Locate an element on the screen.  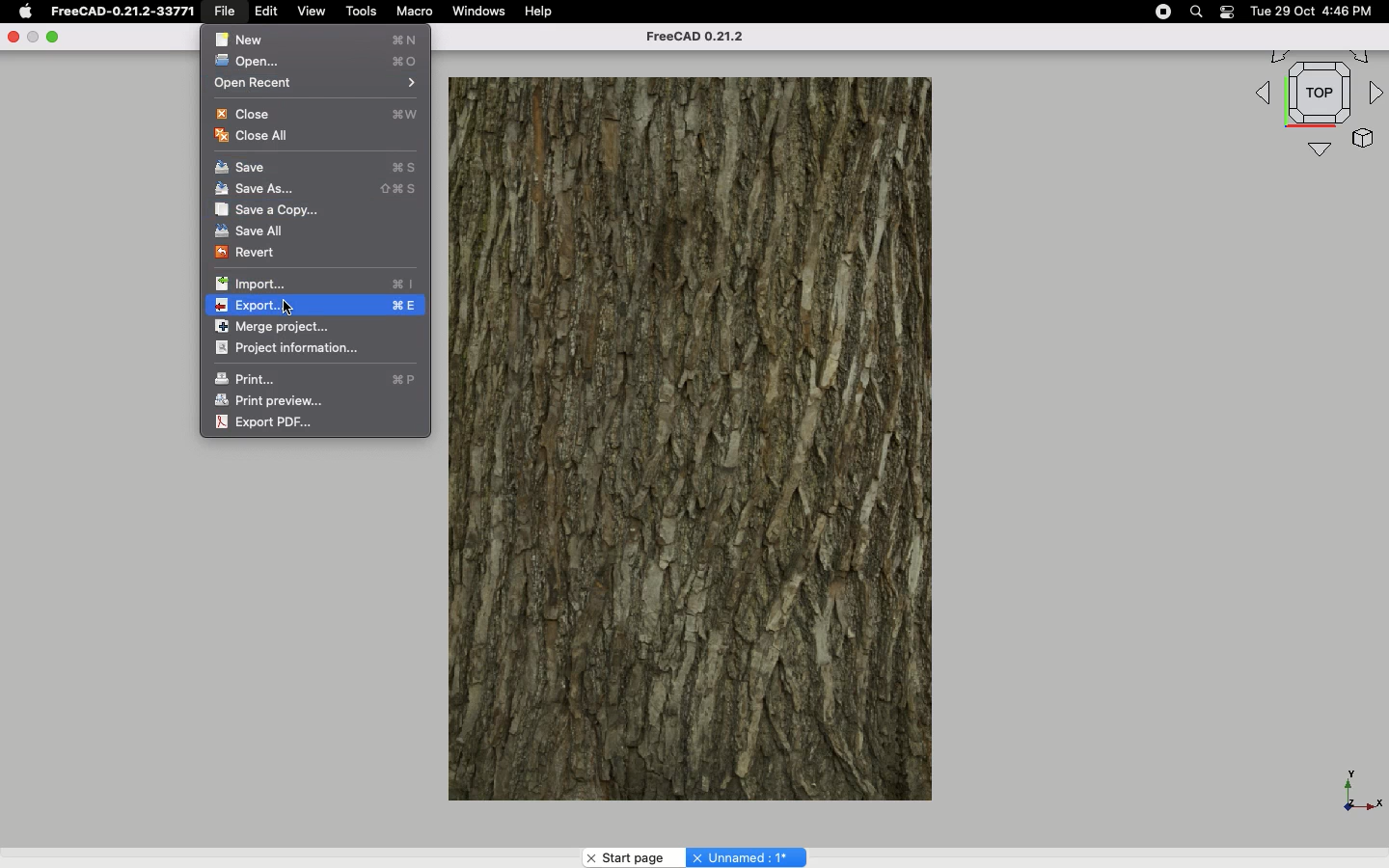
Save a copy is located at coordinates (264, 208).